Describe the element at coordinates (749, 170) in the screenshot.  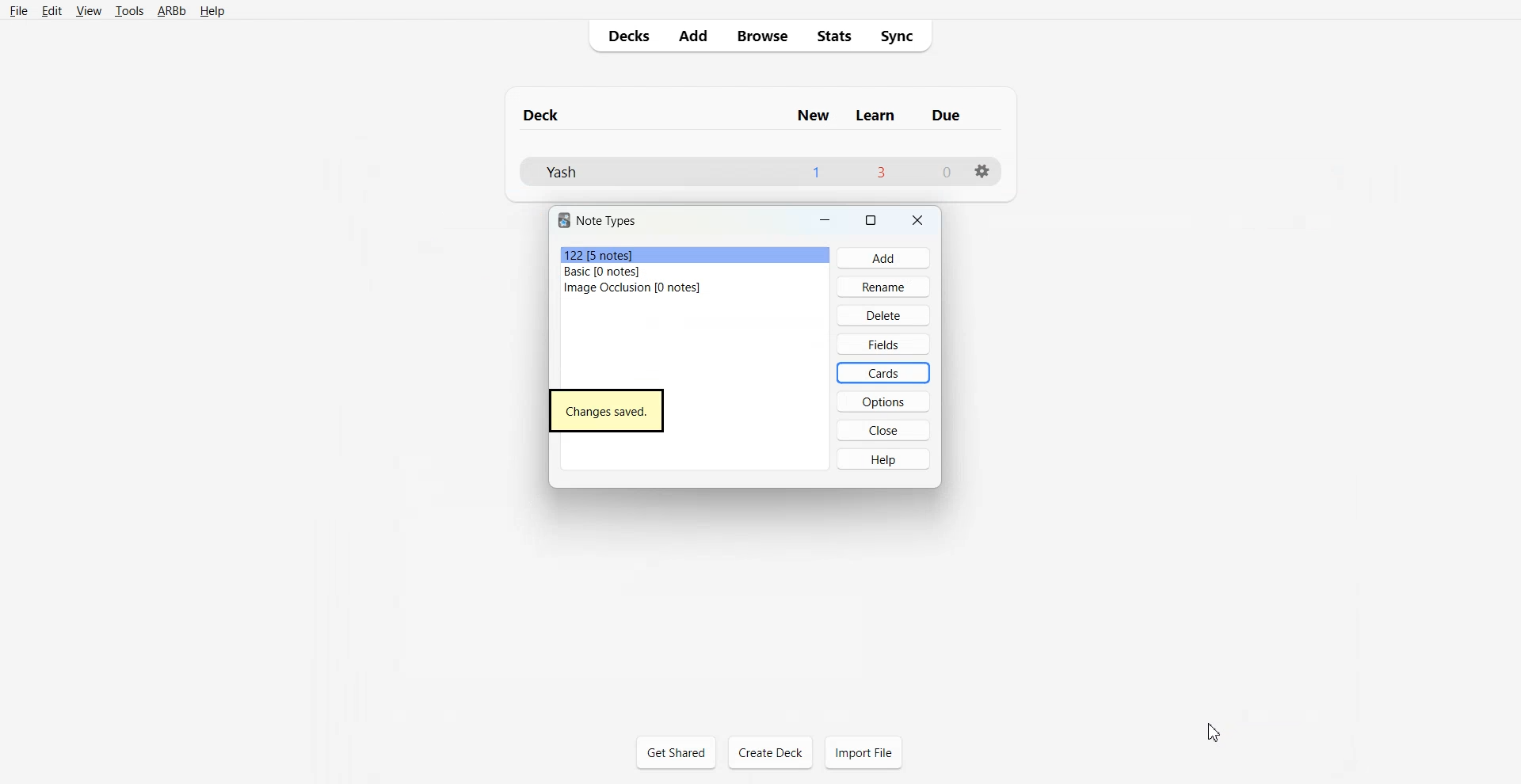
I see `yash ` at that location.